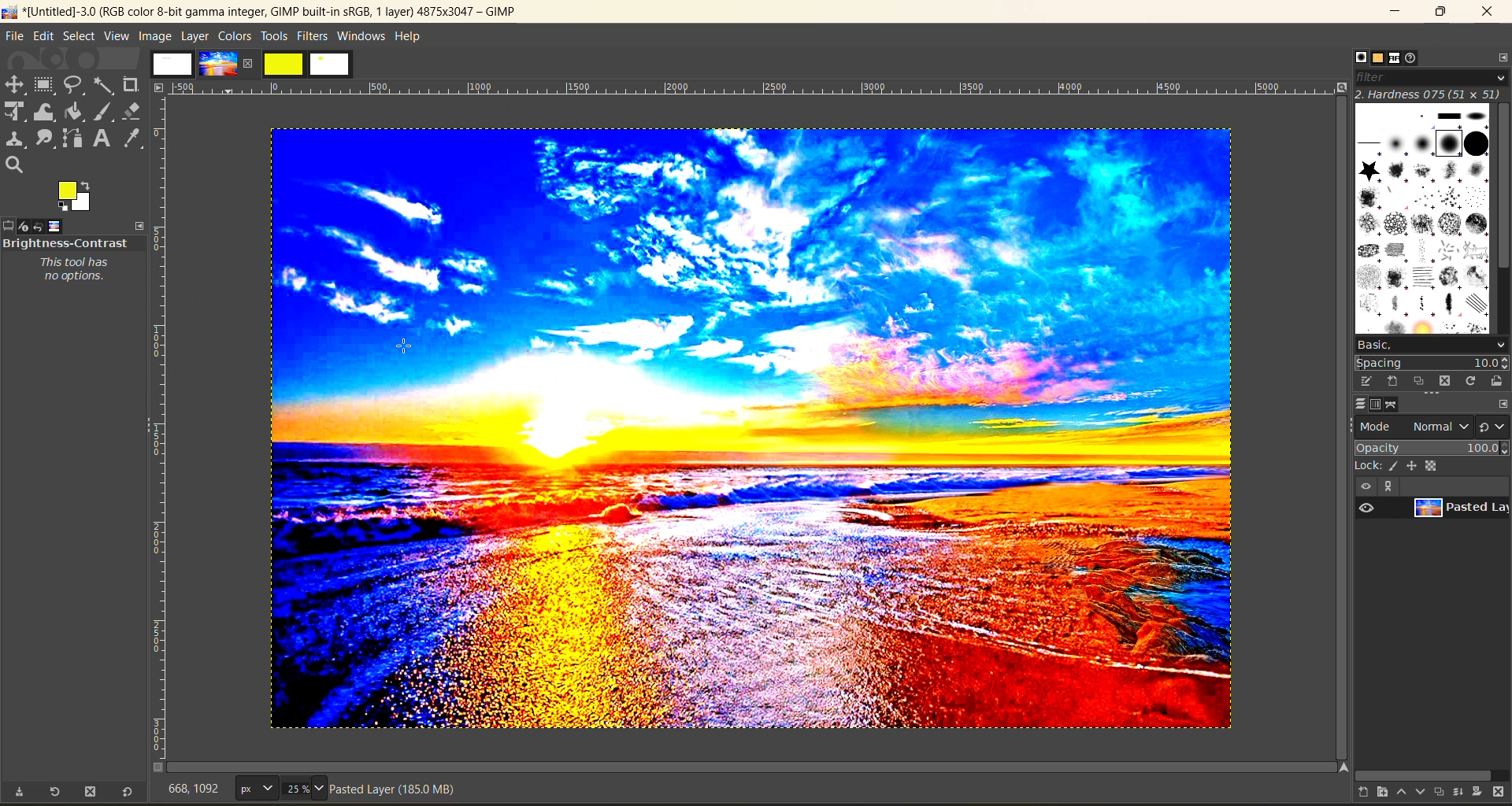  Describe the element at coordinates (52, 793) in the screenshot. I see `restore tool preset` at that location.